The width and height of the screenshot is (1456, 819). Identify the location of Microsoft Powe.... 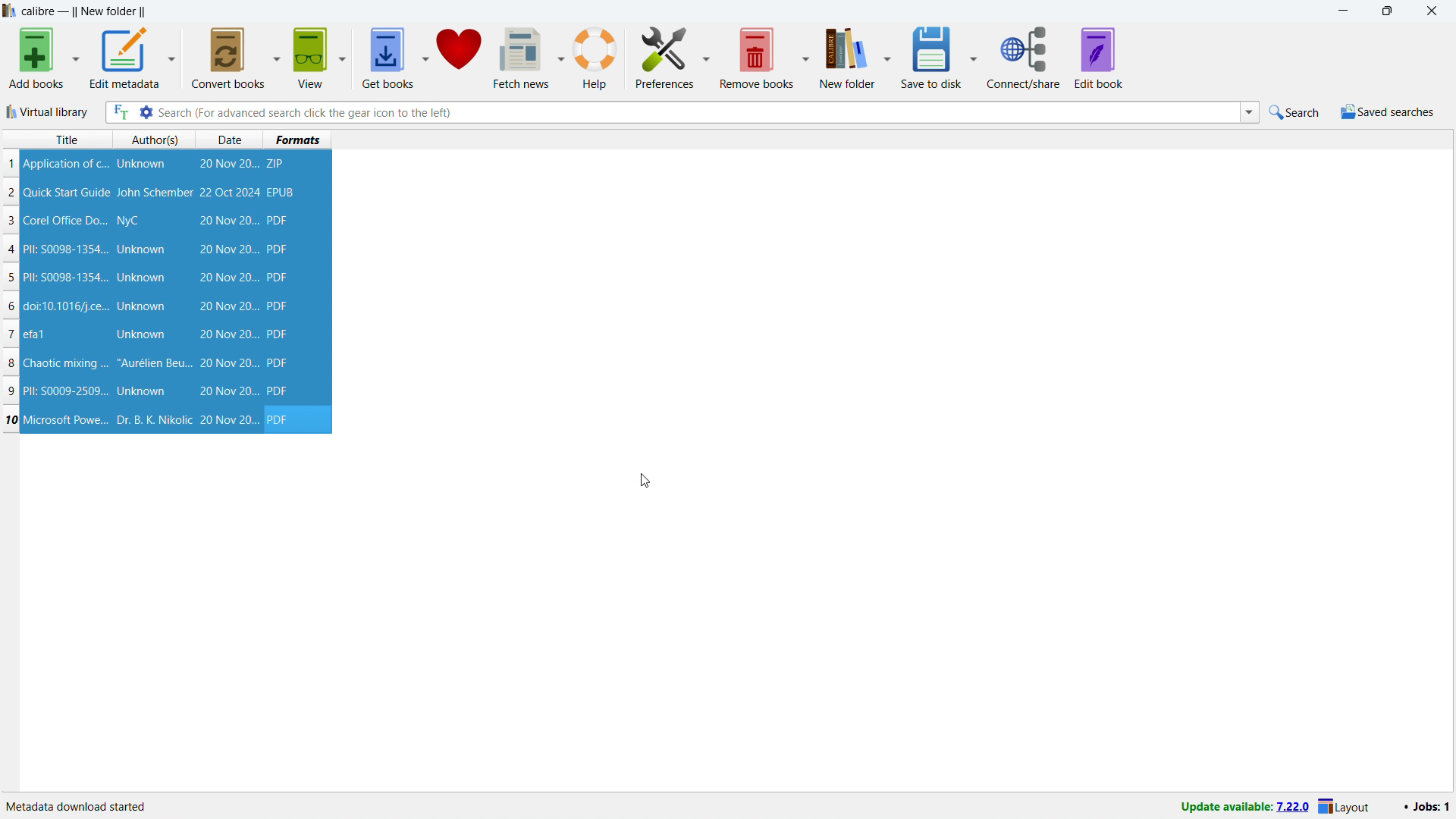
(66, 419).